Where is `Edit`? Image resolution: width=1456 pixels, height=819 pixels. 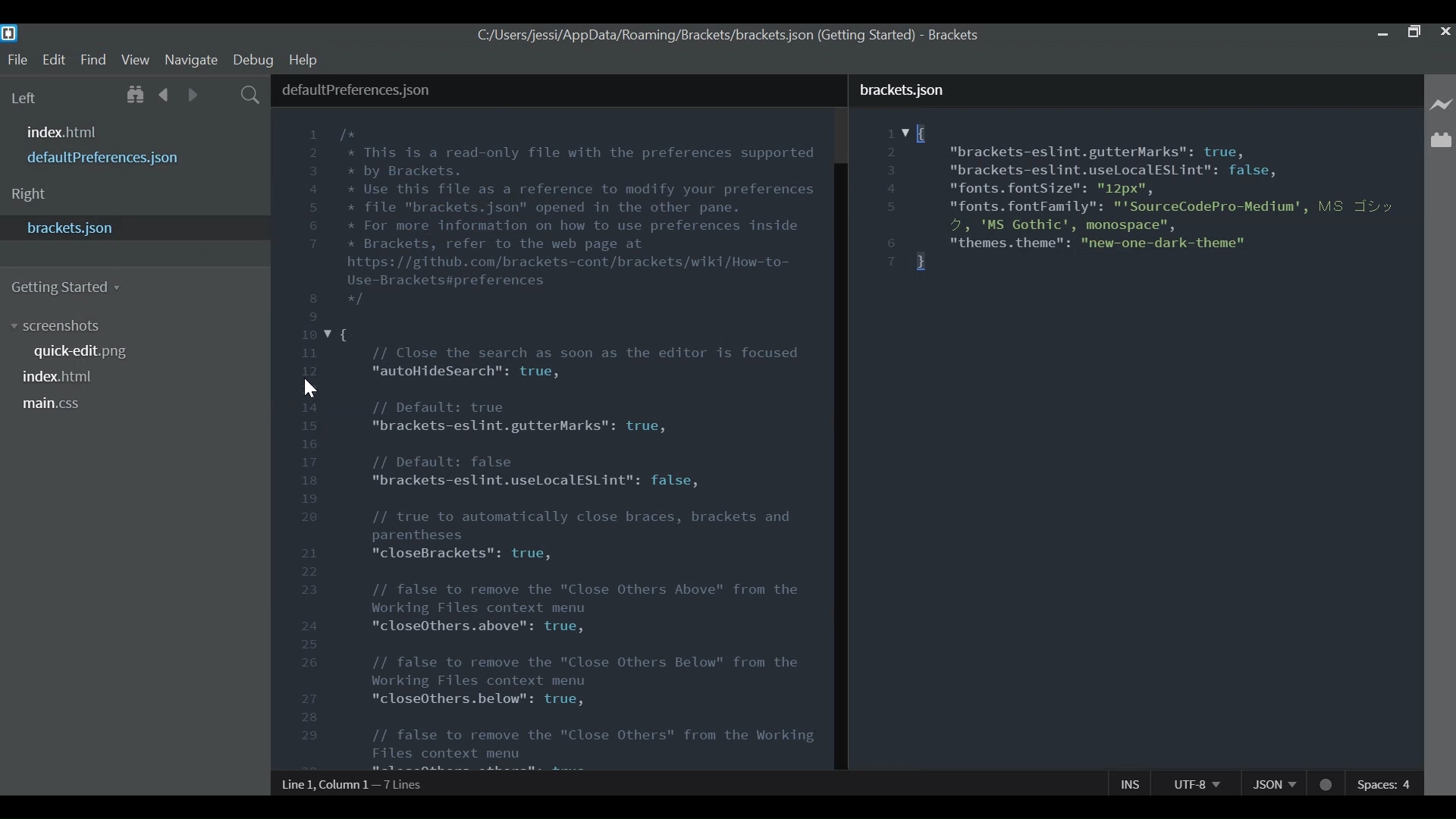
Edit is located at coordinates (54, 59).